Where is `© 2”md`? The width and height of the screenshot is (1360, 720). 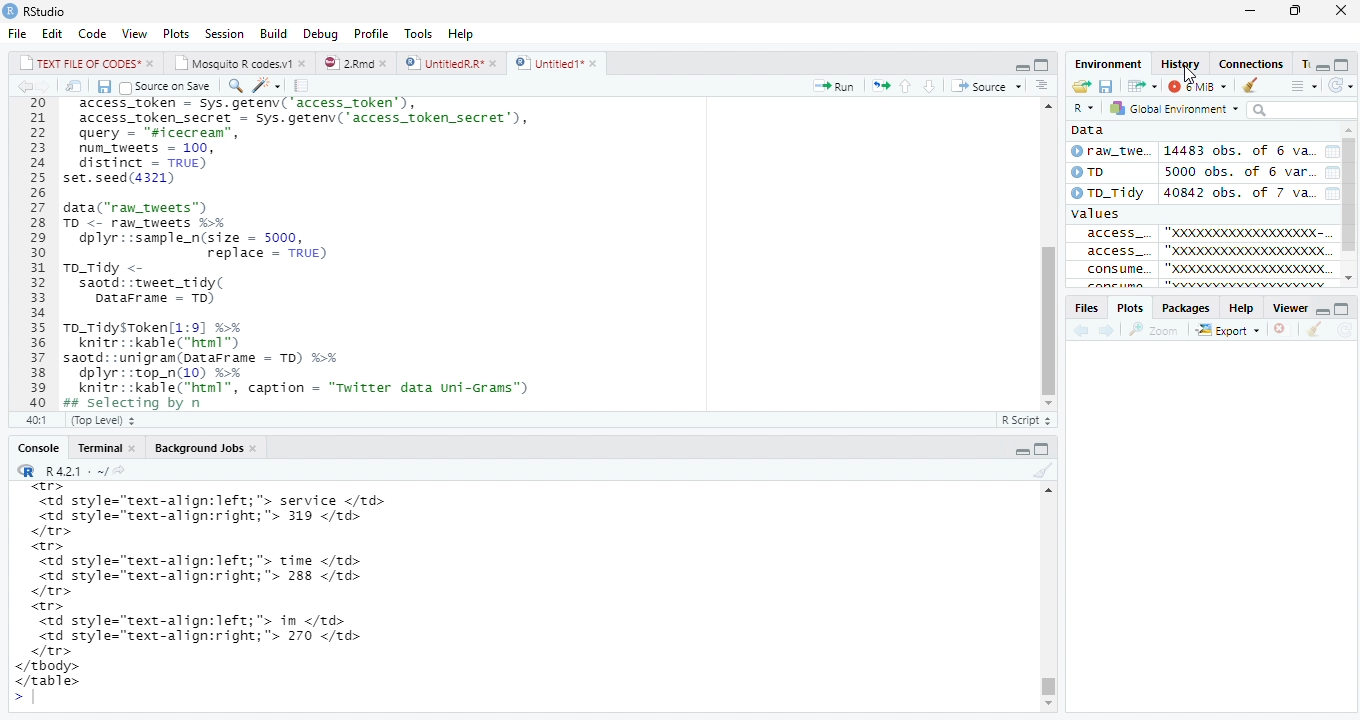 © 2”md is located at coordinates (357, 64).